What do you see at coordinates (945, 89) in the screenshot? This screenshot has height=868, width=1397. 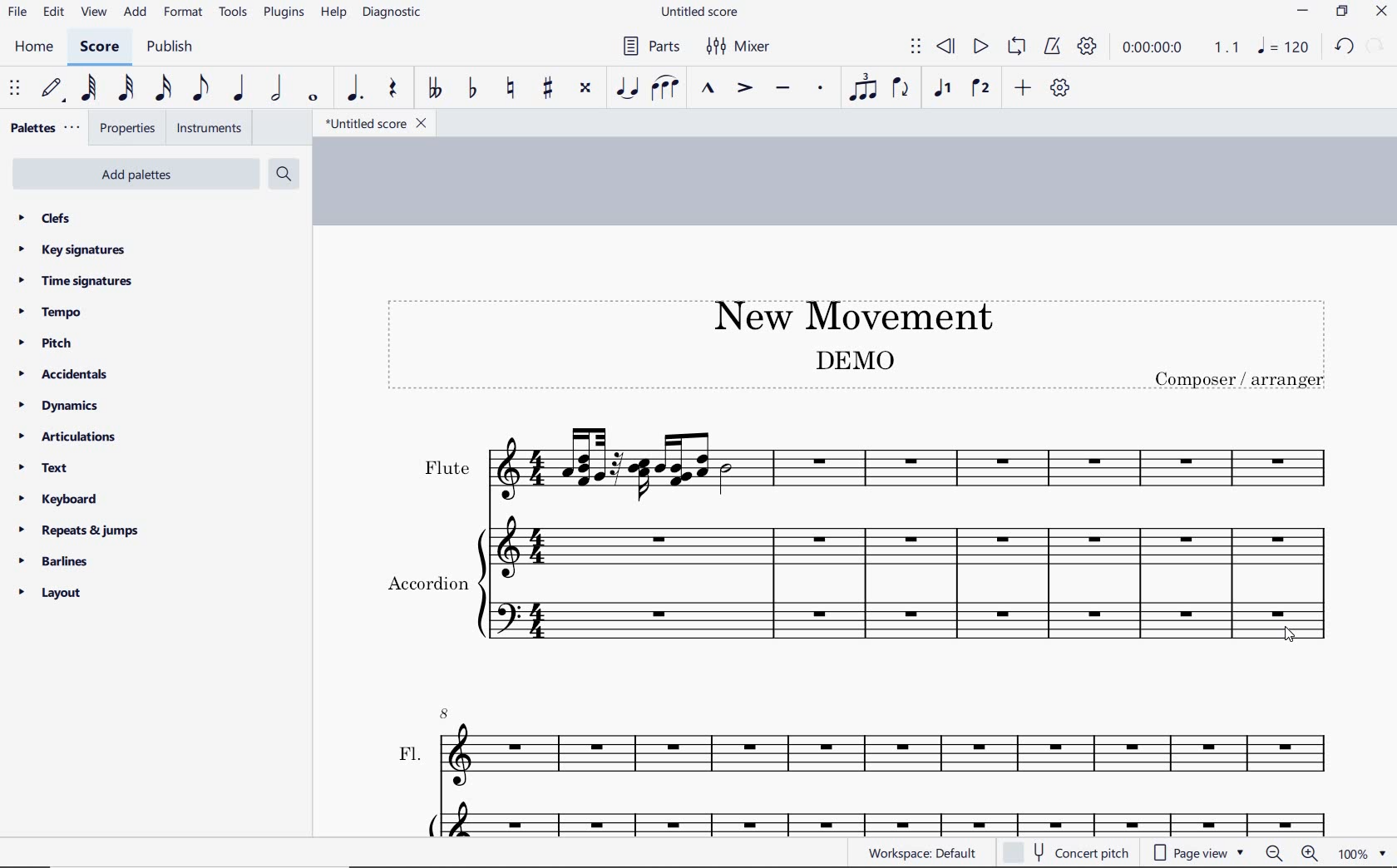 I see `voice1` at bounding box center [945, 89].